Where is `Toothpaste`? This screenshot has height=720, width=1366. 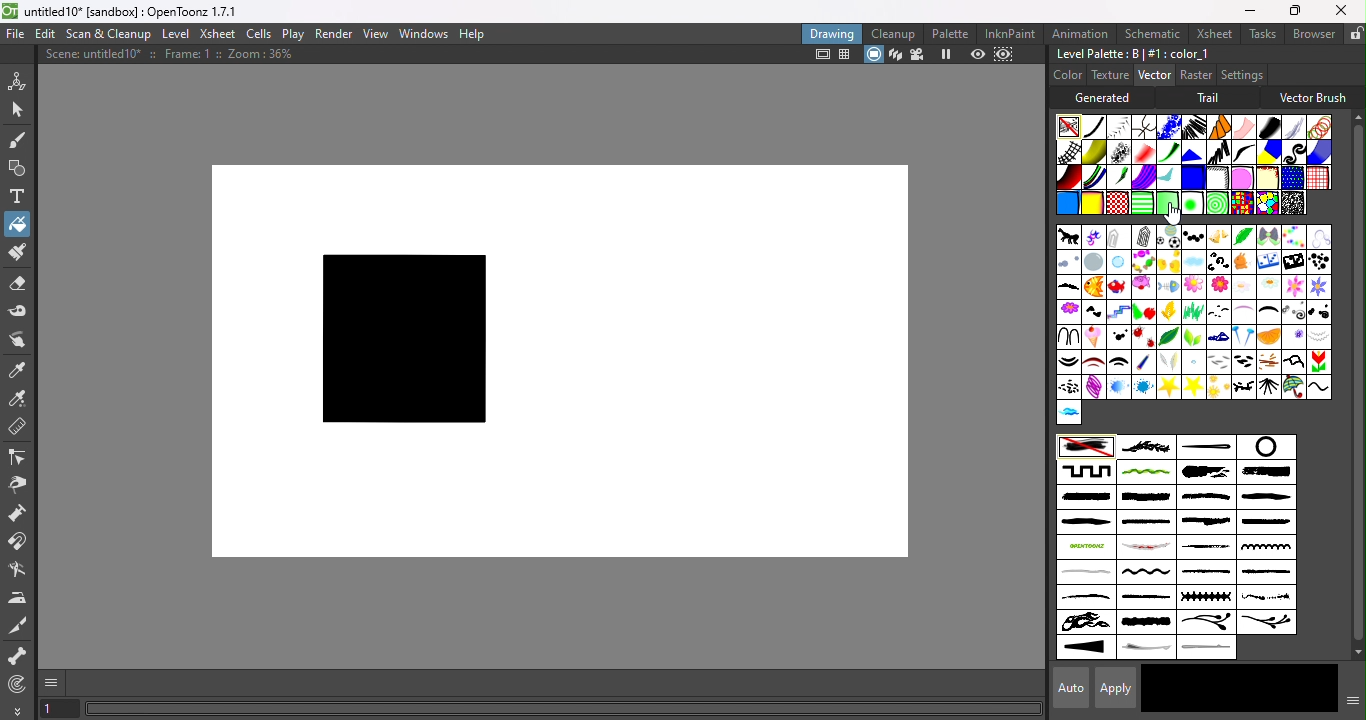 Toothpaste is located at coordinates (1144, 178).